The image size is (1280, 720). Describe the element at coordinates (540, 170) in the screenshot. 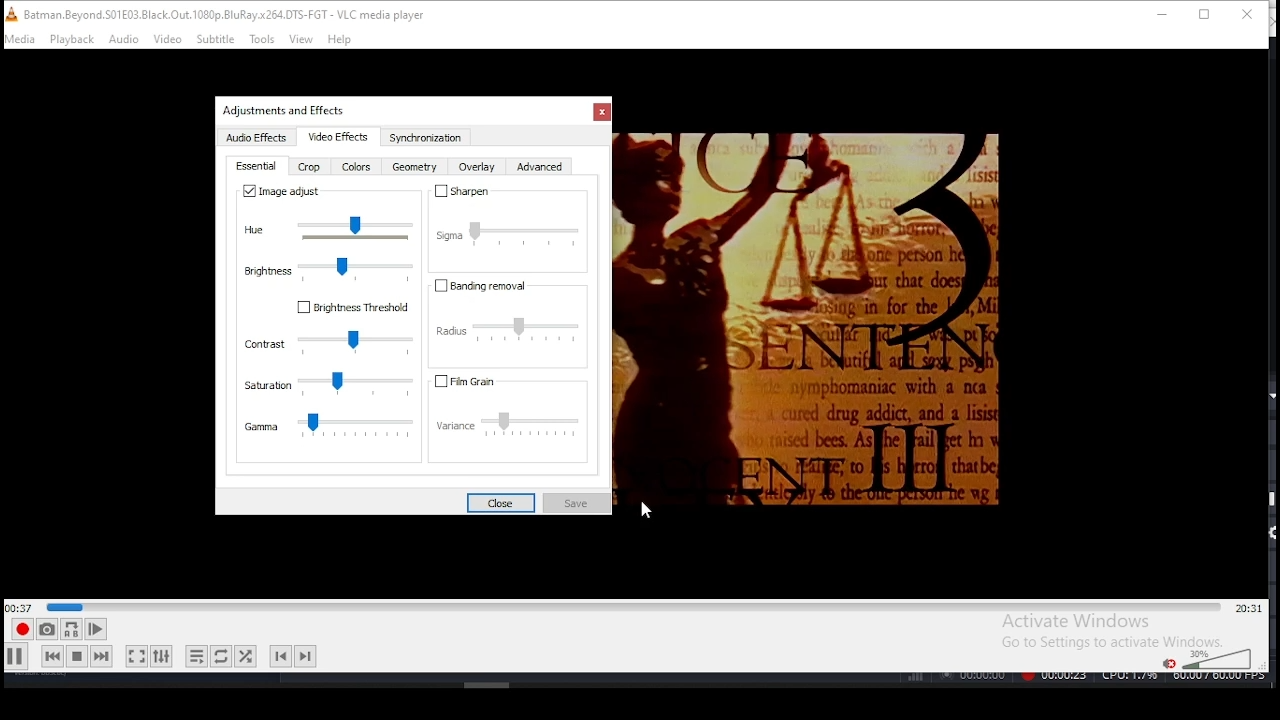

I see `advanced` at that location.